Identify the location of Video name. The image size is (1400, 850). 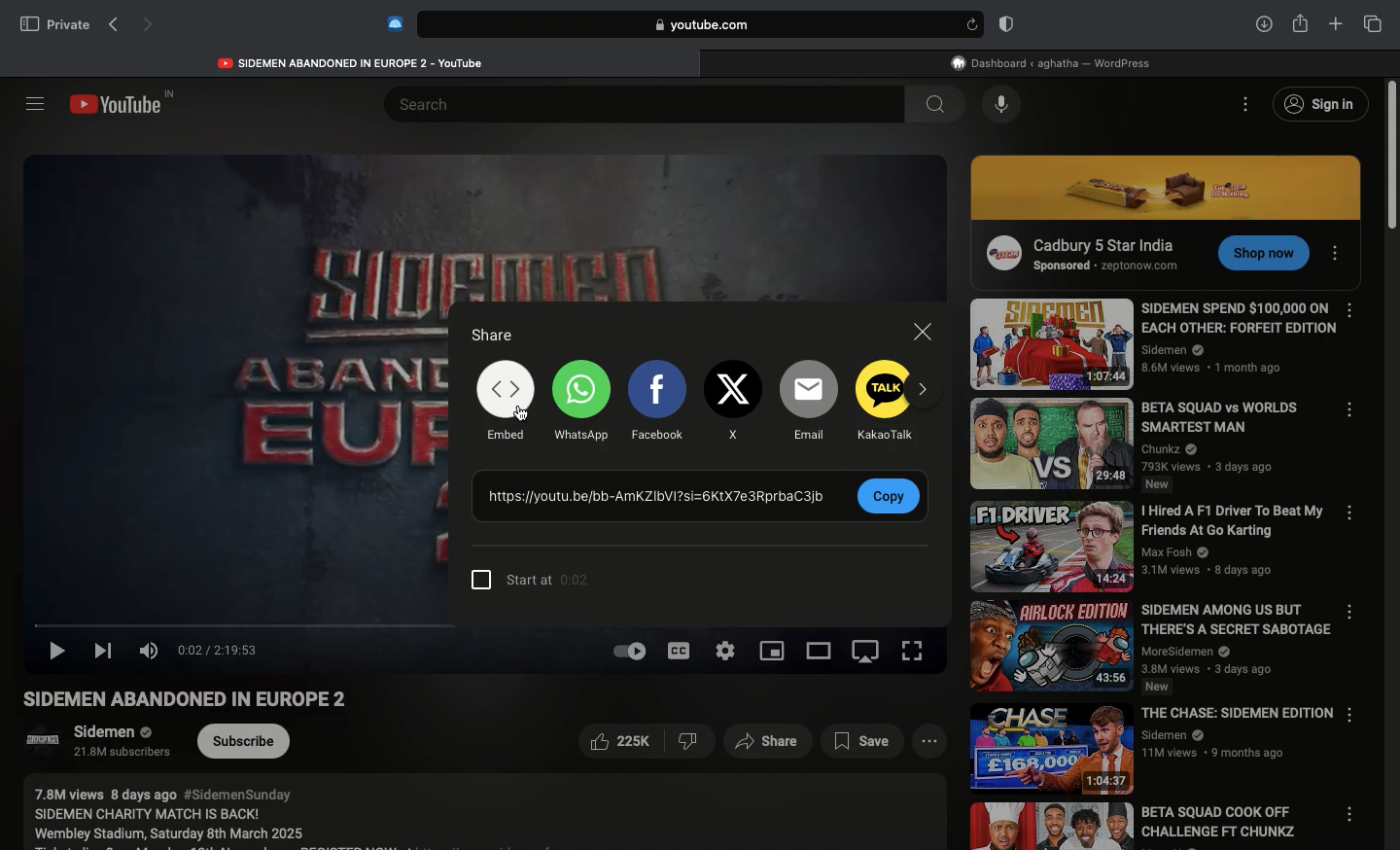
(1150, 646).